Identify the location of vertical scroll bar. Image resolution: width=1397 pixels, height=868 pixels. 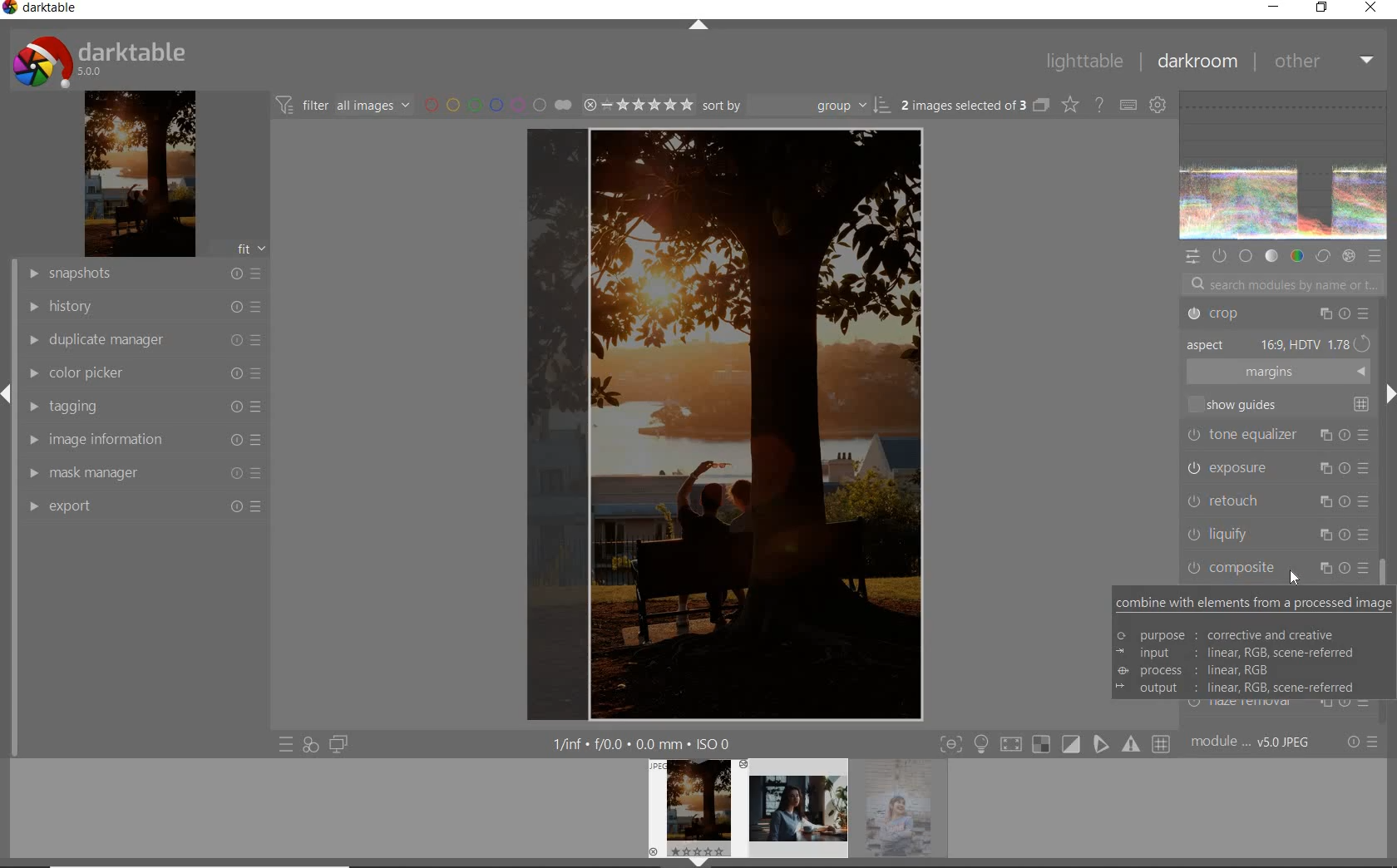
(8, 583).